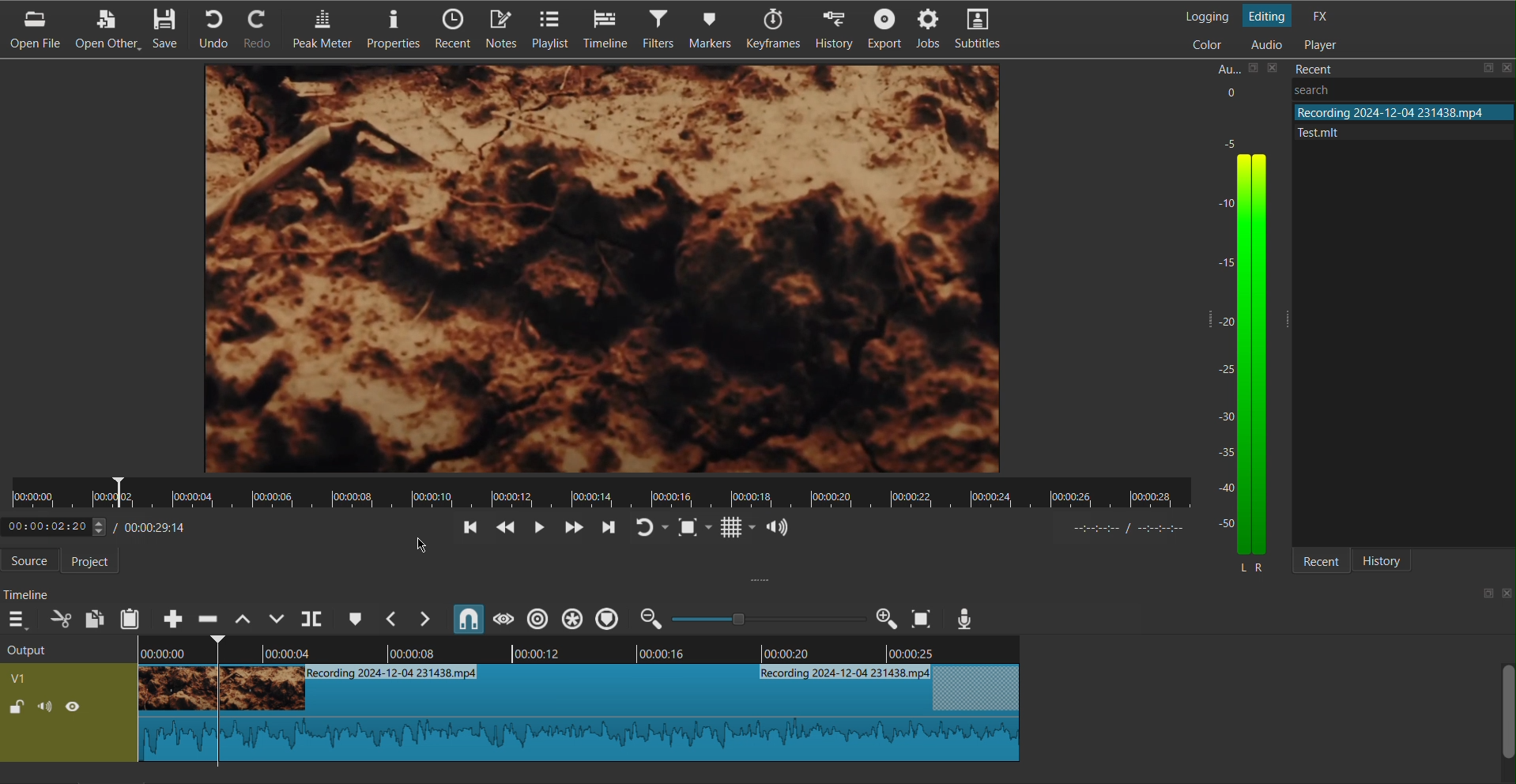 This screenshot has width=1516, height=784. What do you see at coordinates (1322, 562) in the screenshot?
I see `Recent` at bounding box center [1322, 562].